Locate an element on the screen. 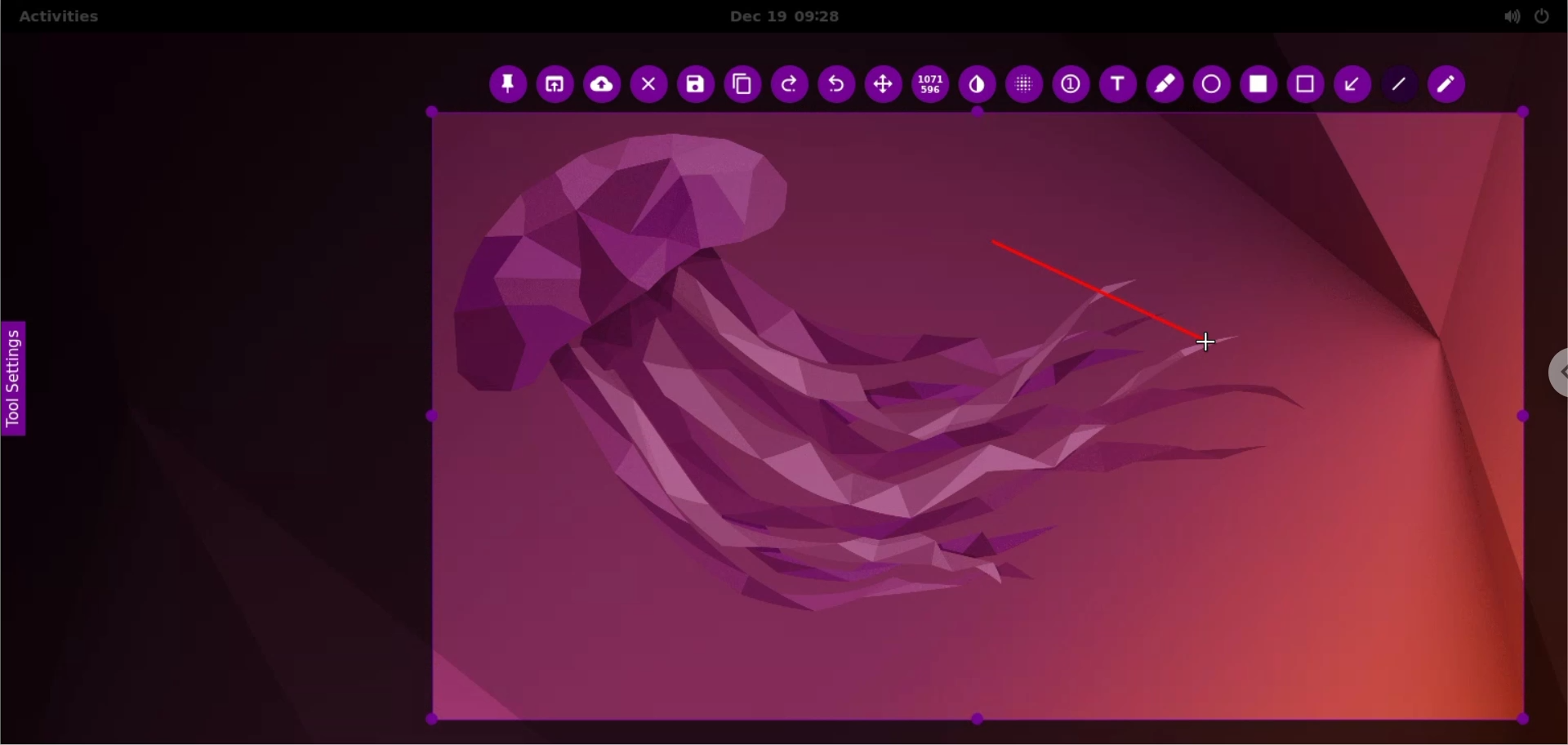  line is located at coordinates (1090, 285).